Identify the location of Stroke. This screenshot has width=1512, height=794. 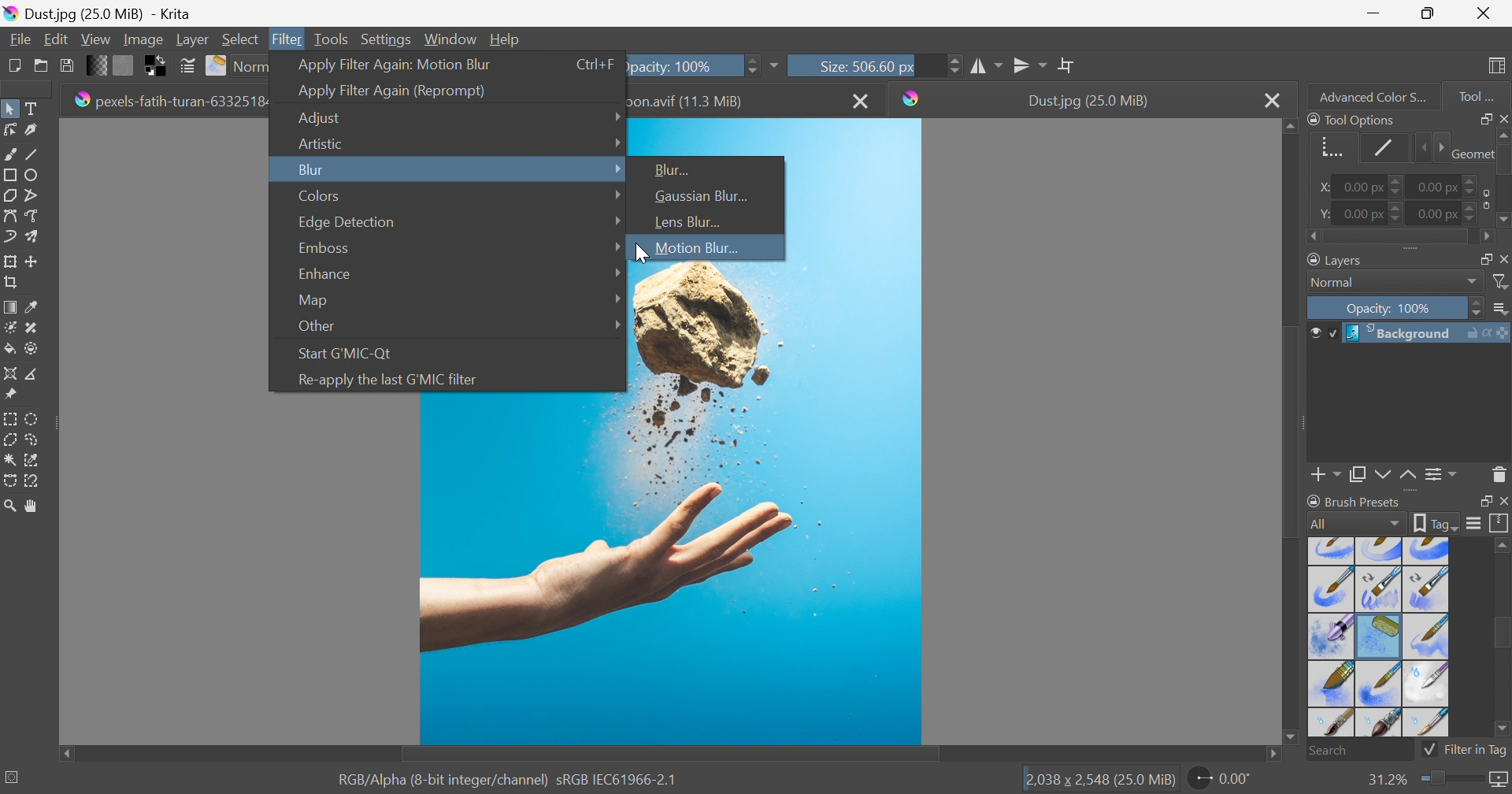
(1384, 147).